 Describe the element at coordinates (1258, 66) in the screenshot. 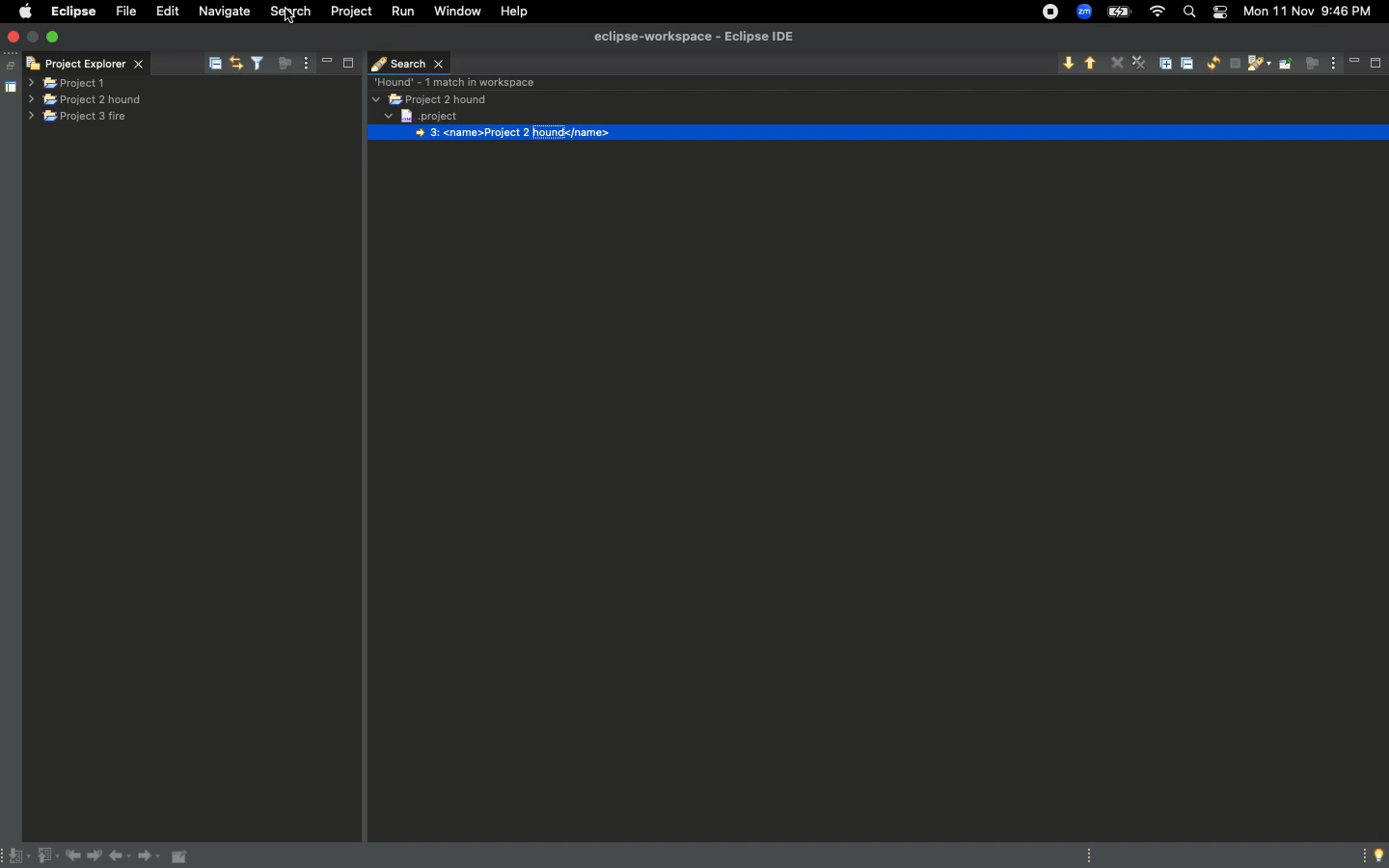

I see `Show previous searches` at that location.